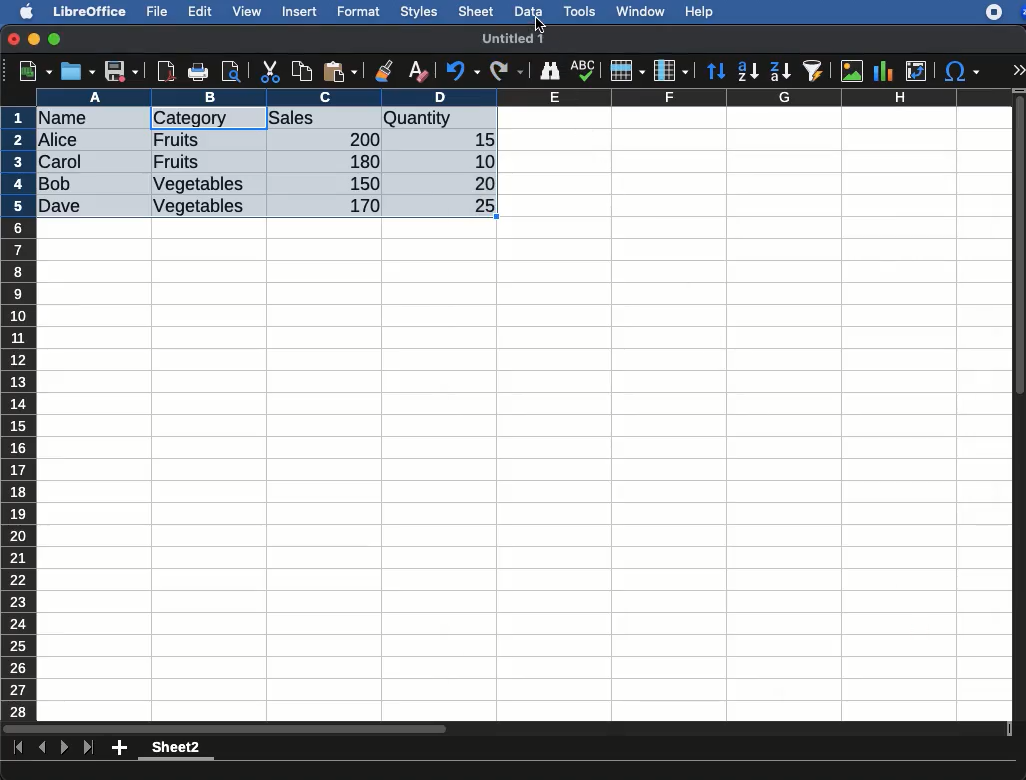  Describe the element at coordinates (60, 141) in the screenshot. I see `Alice` at that location.